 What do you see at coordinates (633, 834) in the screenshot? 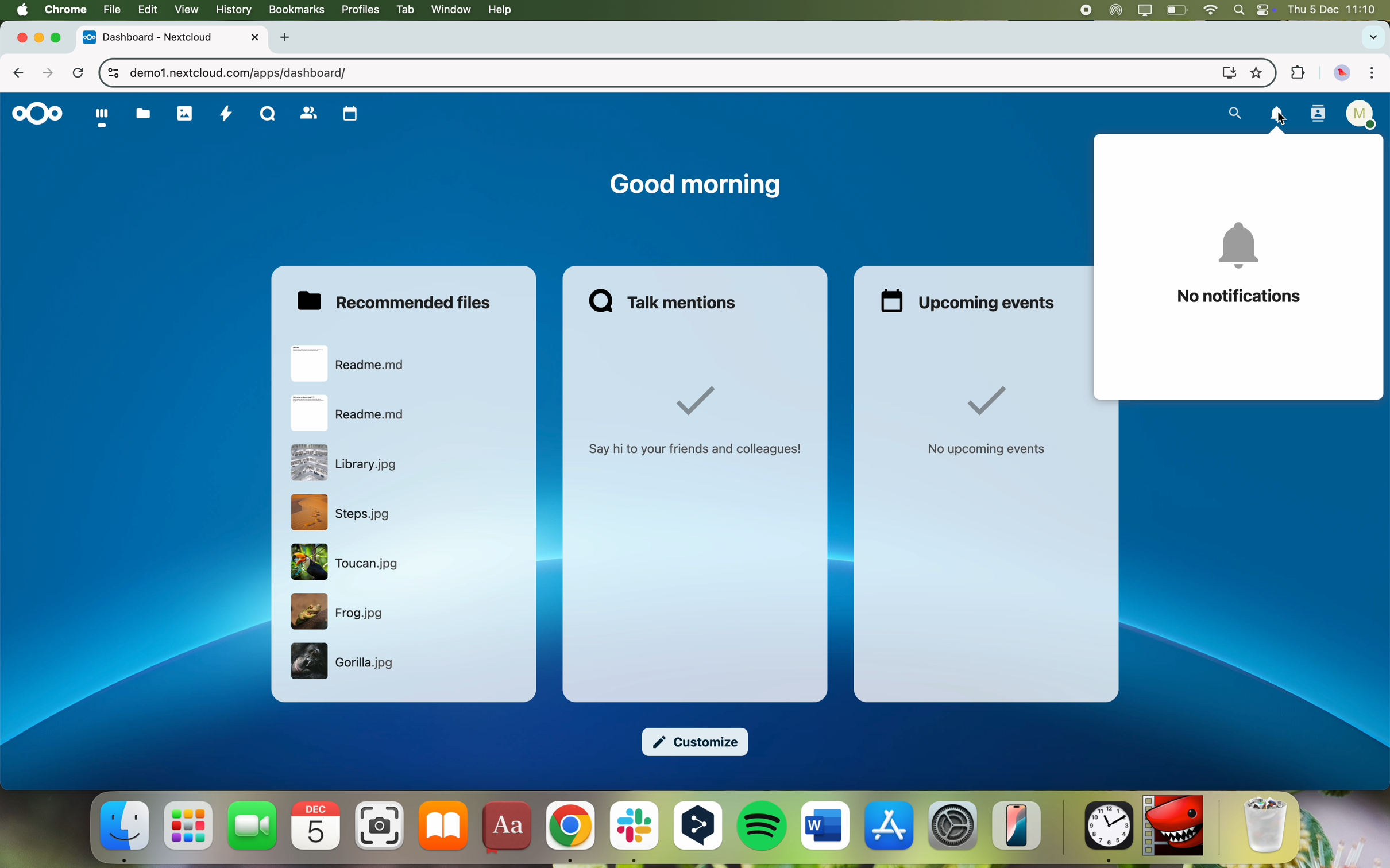
I see `Slack` at bounding box center [633, 834].